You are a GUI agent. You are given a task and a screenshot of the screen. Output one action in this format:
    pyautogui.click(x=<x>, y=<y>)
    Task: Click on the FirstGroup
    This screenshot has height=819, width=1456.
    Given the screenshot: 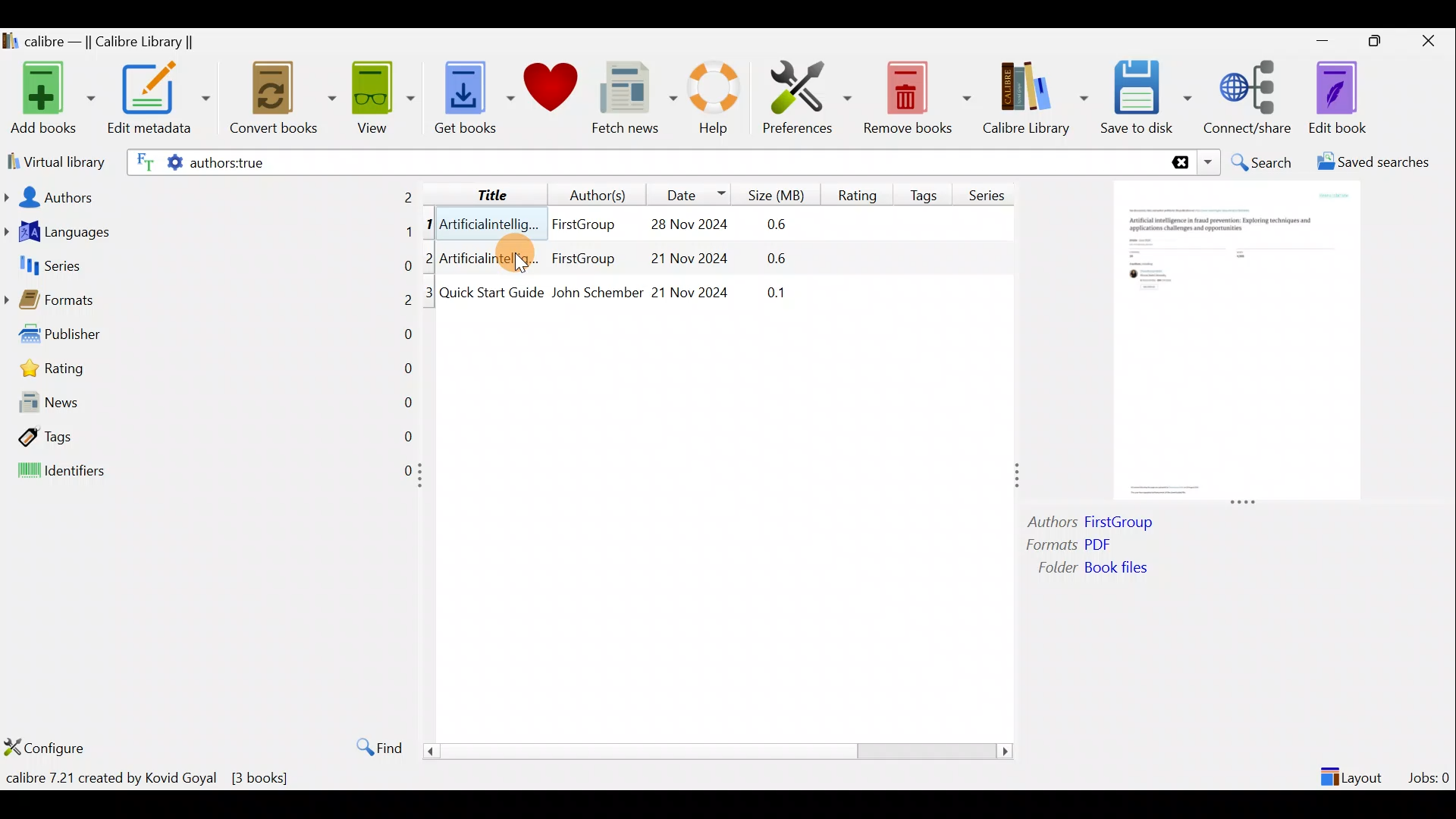 What is the action you would take?
    pyautogui.click(x=582, y=221)
    